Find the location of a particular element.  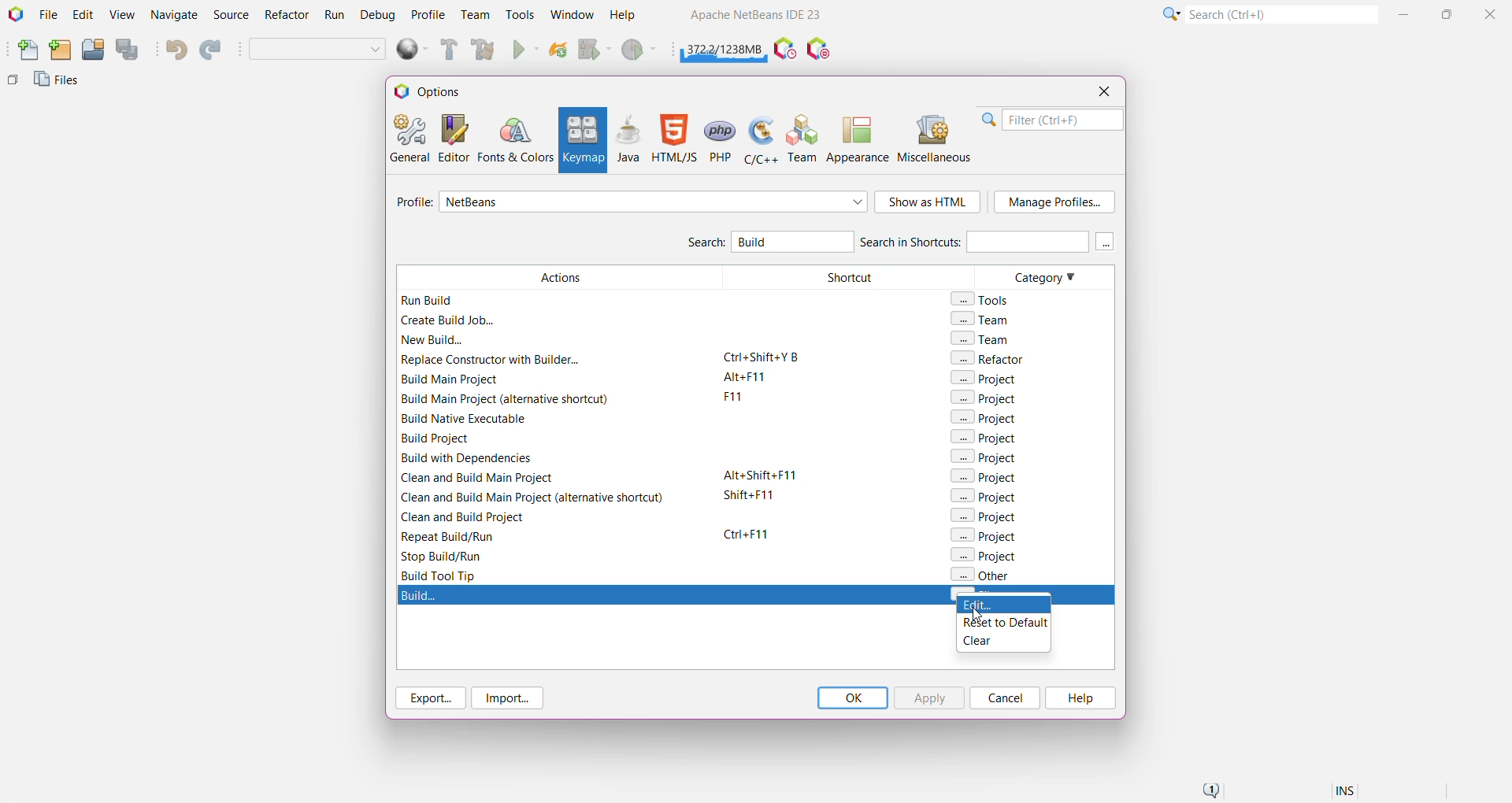

Application name and Version is located at coordinates (754, 17).